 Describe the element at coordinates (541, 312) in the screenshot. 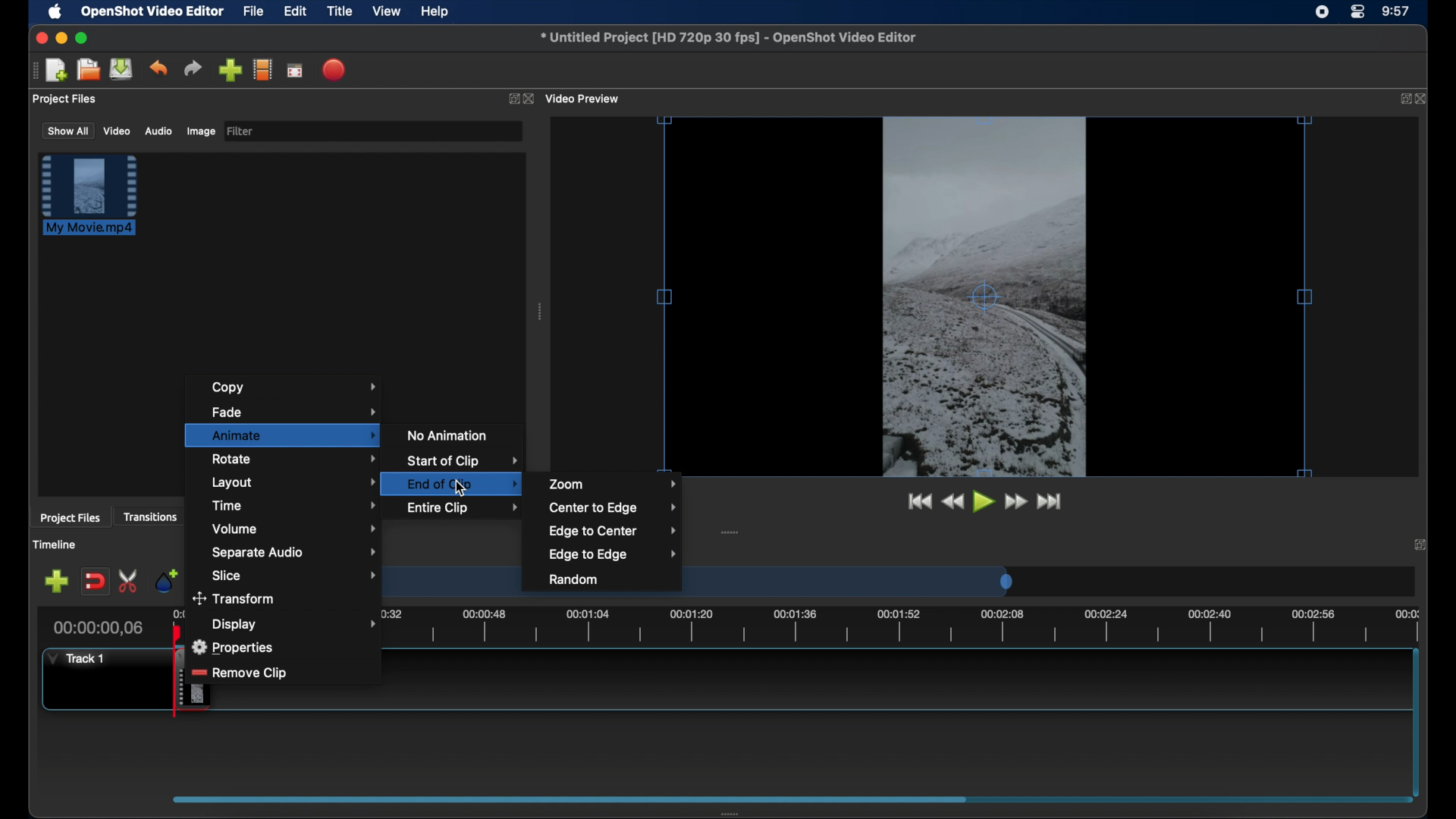

I see `drag handle` at that location.